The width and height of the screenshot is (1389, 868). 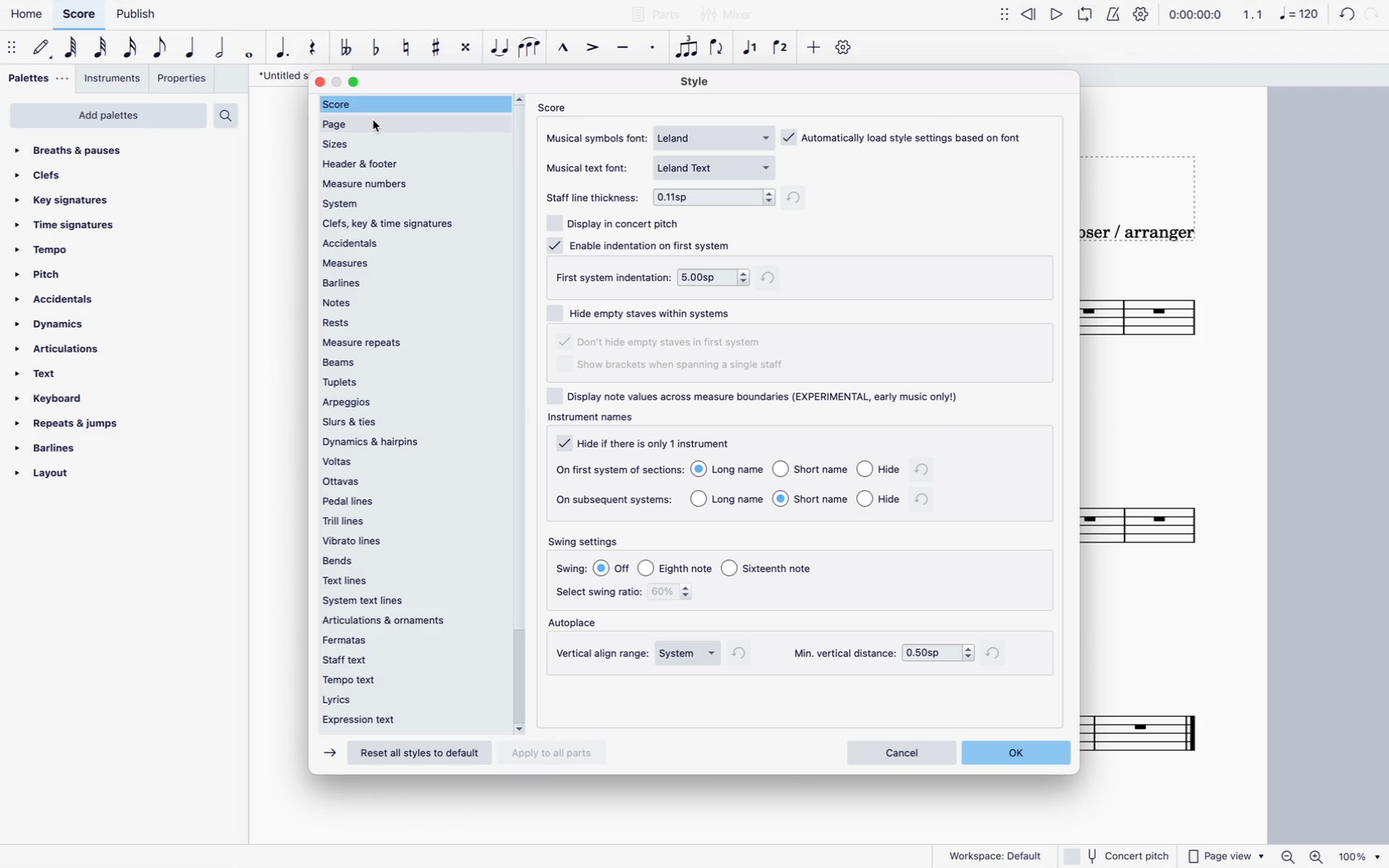 I want to click on swing options, so click(x=708, y=569).